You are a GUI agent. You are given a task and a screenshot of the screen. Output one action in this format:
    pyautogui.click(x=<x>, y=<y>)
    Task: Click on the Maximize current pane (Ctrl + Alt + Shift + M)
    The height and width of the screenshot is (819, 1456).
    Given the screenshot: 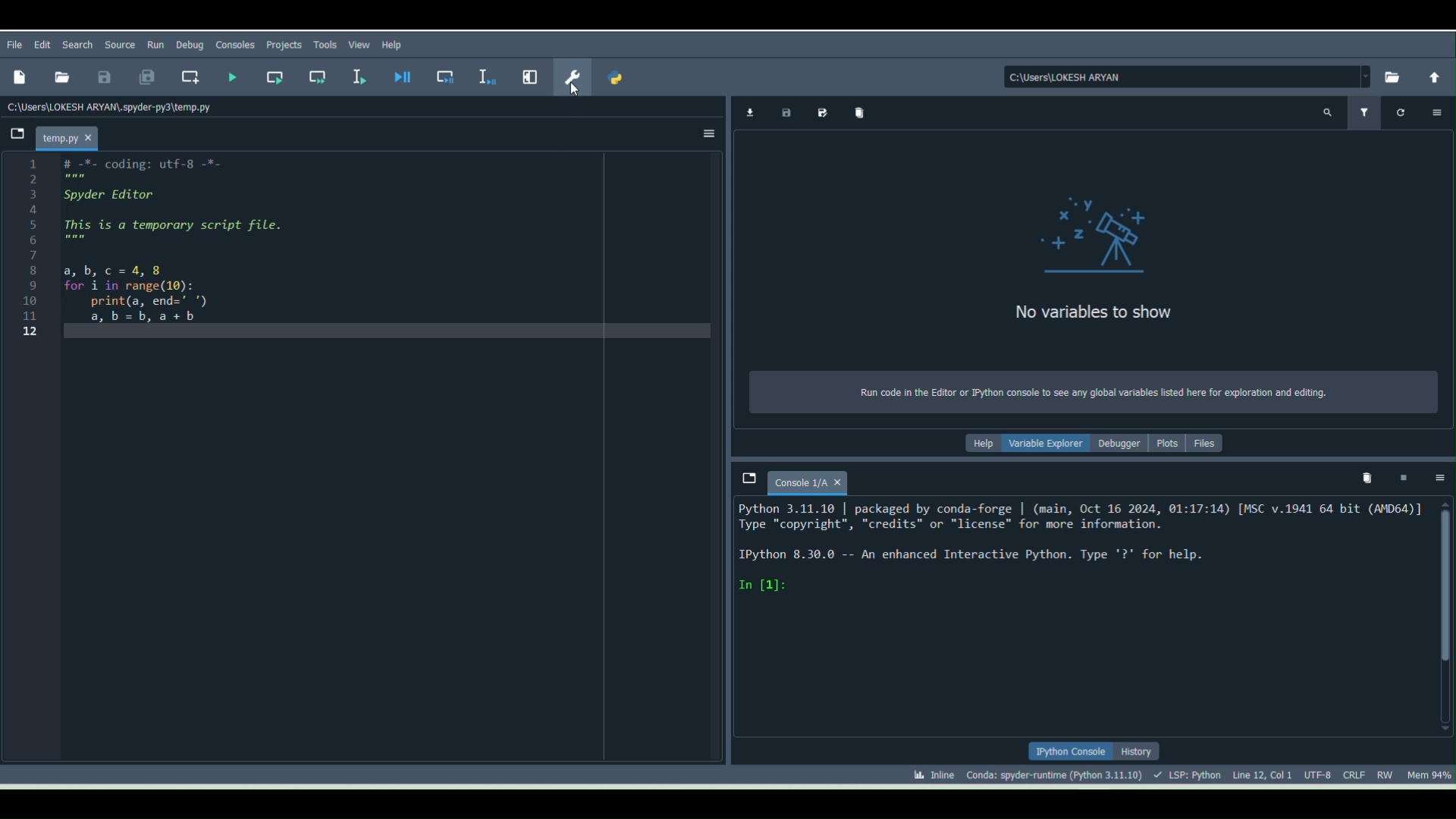 What is the action you would take?
    pyautogui.click(x=532, y=73)
    